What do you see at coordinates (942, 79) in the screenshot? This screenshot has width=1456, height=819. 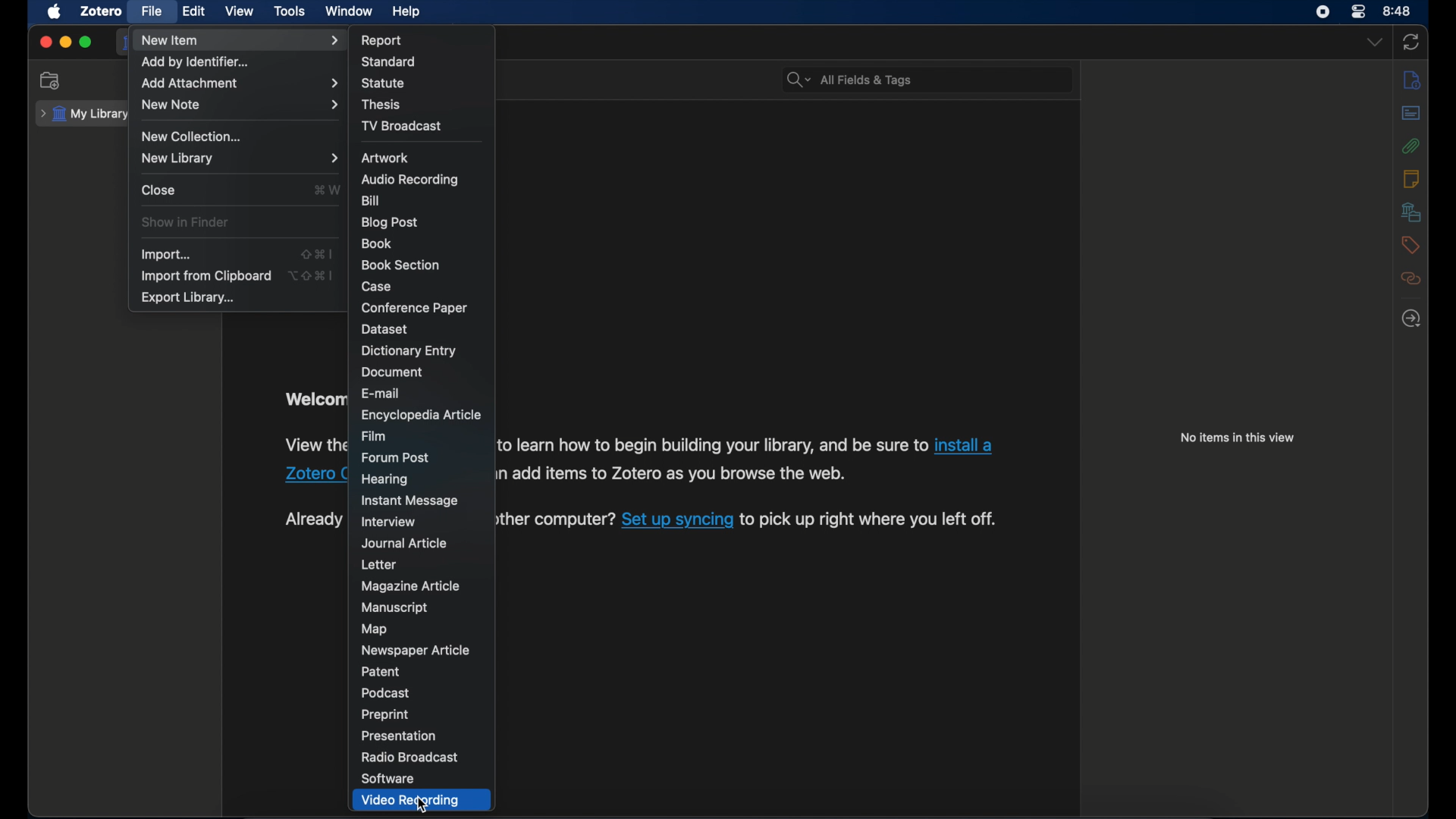 I see `search bar input` at bounding box center [942, 79].